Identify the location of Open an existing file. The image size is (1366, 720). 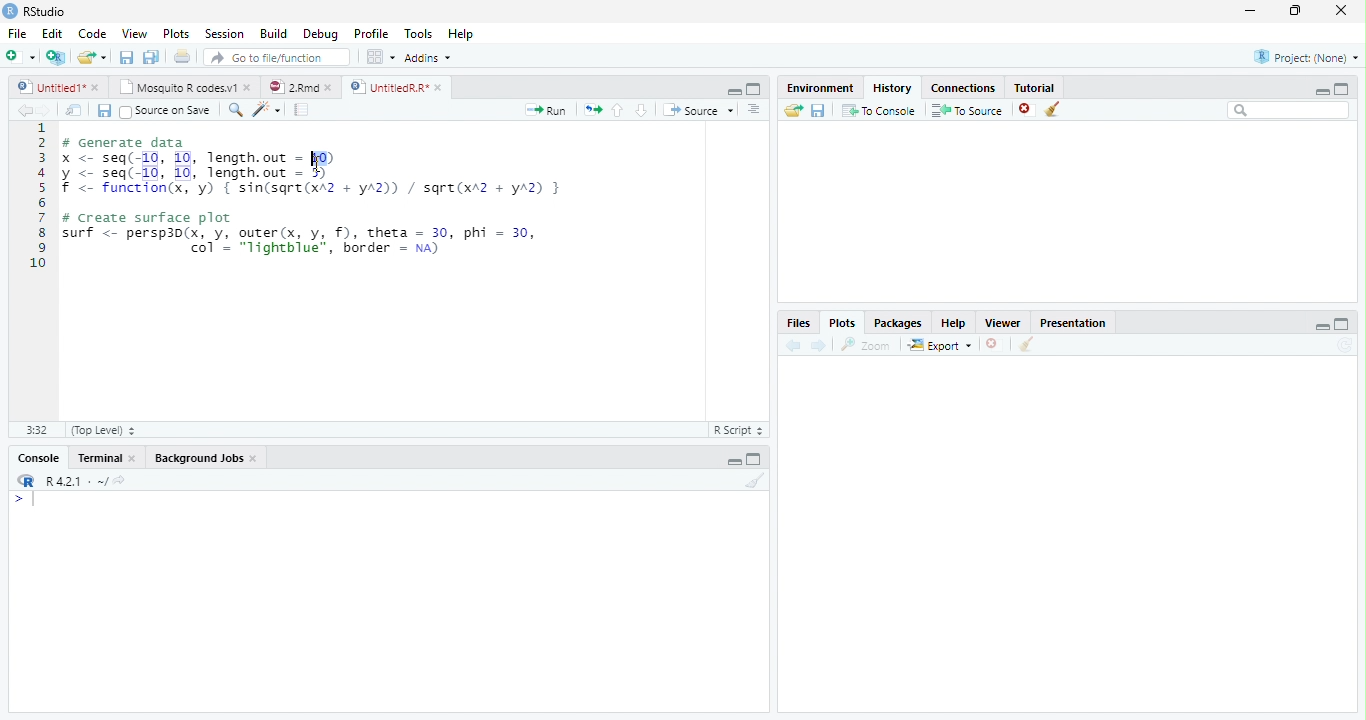
(84, 57).